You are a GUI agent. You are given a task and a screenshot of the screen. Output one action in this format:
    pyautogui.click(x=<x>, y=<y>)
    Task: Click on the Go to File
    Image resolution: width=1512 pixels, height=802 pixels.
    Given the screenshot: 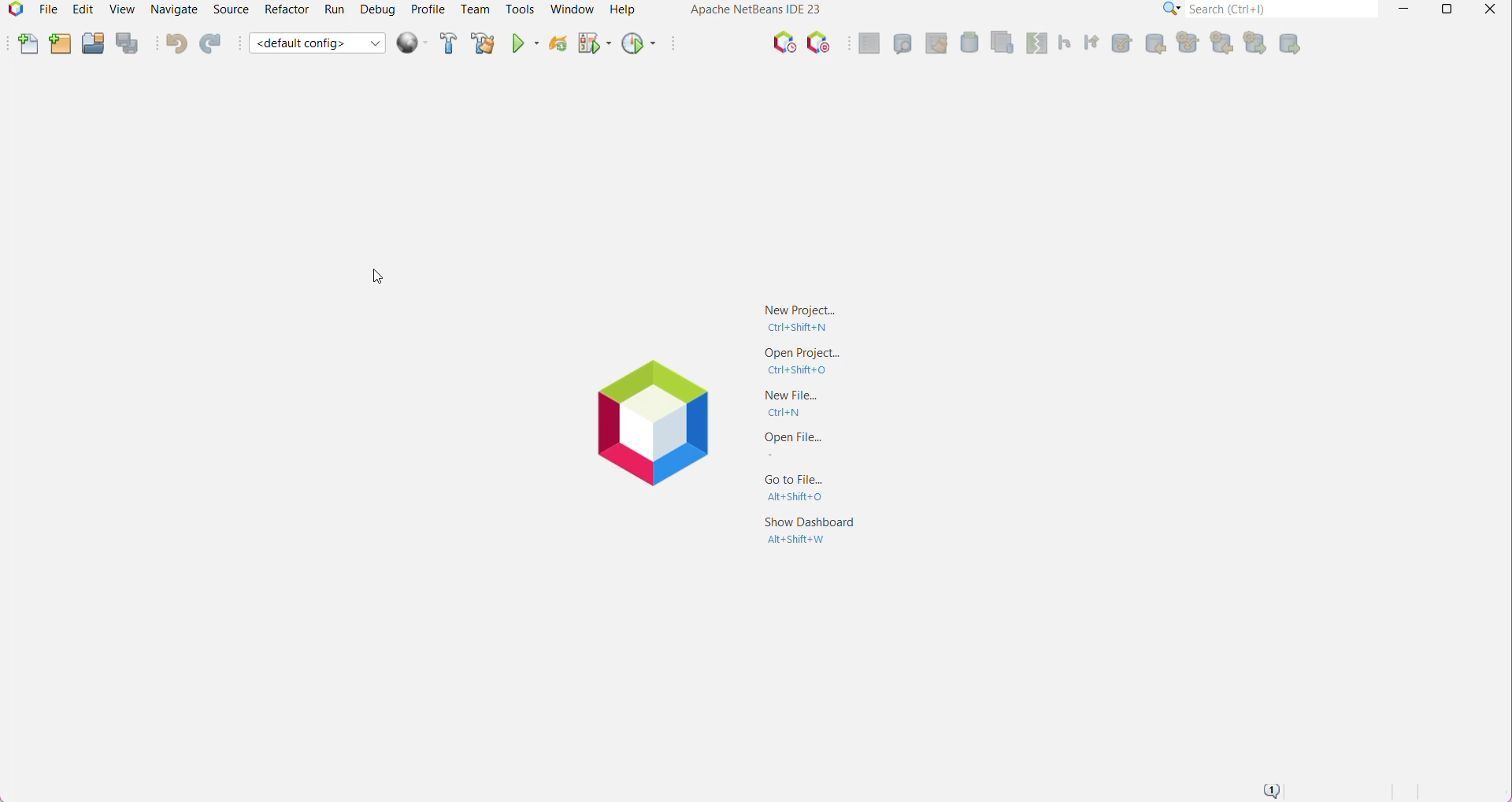 What is the action you would take?
    pyautogui.click(x=803, y=486)
    